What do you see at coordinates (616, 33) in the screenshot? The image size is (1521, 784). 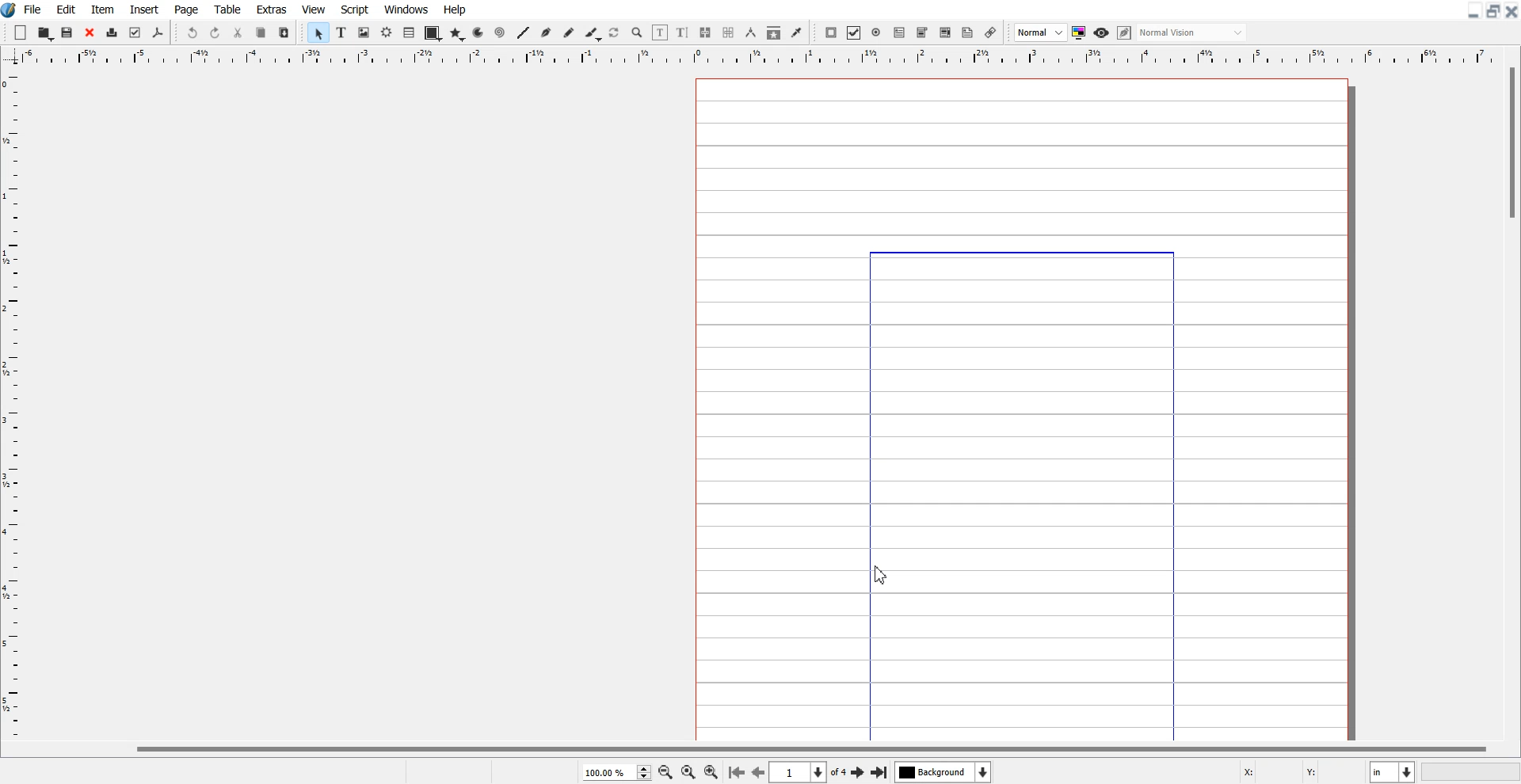 I see `Rotate Item` at bounding box center [616, 33].